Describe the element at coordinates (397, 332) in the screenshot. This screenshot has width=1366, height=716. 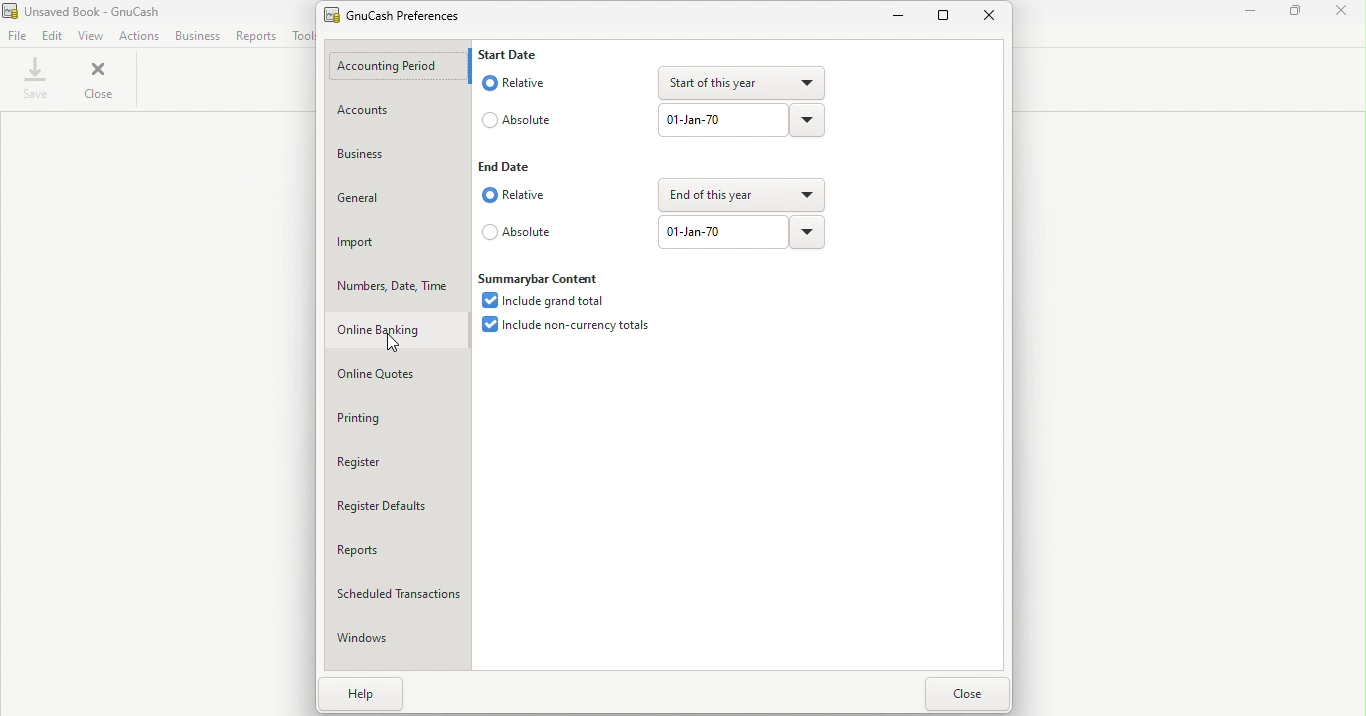
I see `Online banking` at that location.